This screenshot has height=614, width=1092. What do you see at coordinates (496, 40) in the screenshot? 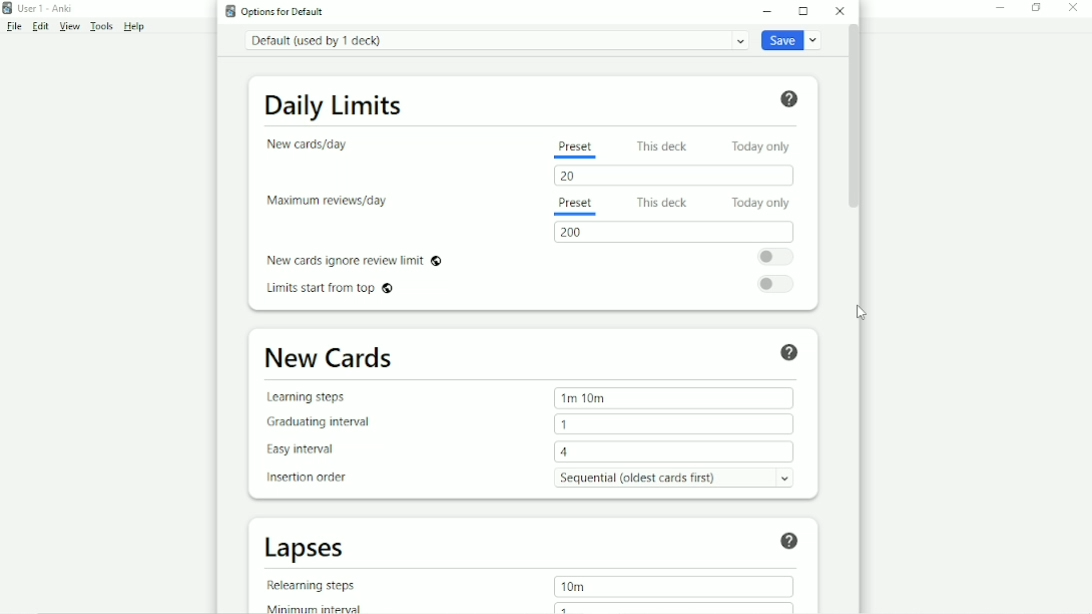
I see `Default (used by 1 deck)` at bounding box center [496, 40].